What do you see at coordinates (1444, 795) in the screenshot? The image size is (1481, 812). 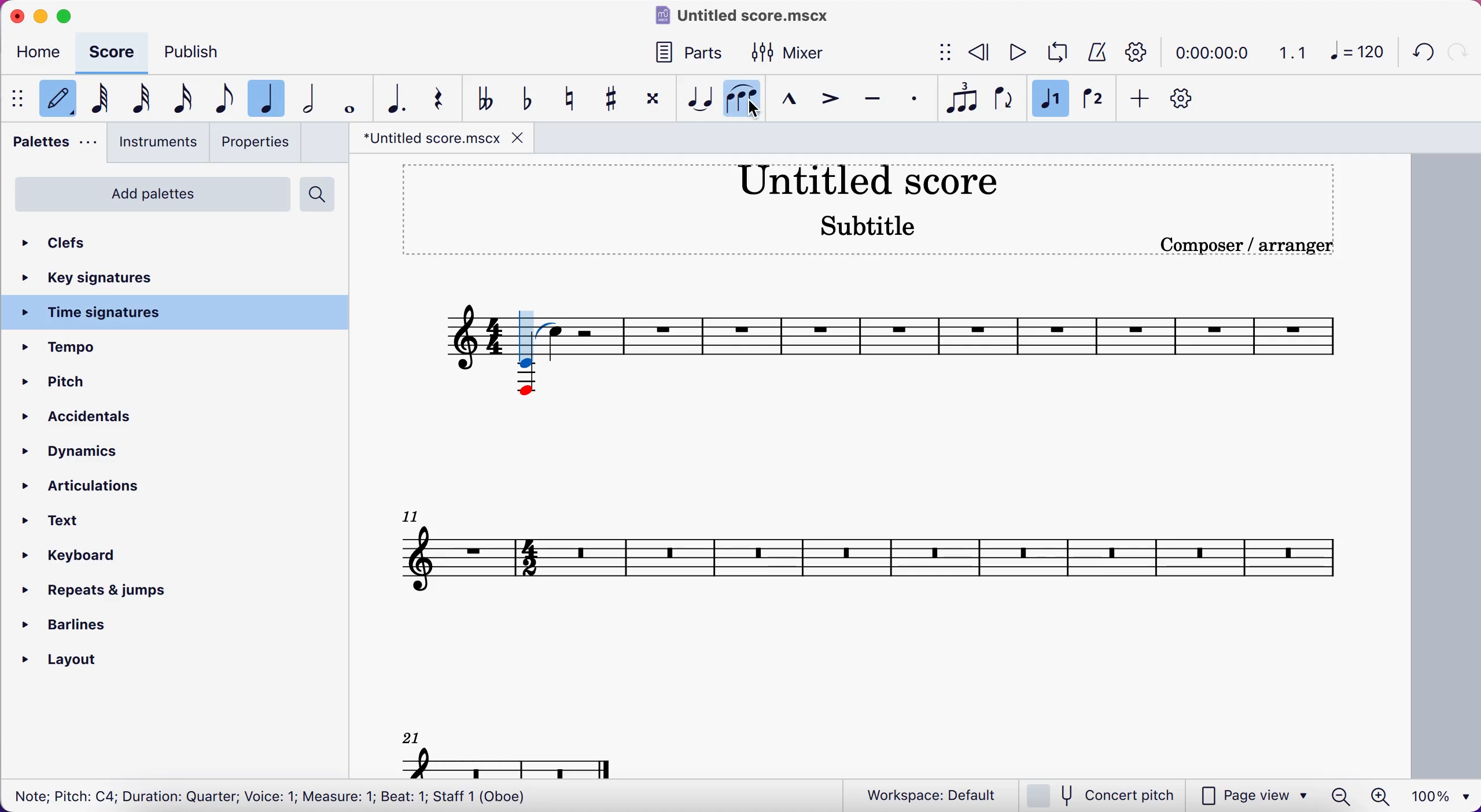 I see `100%` at bounding box center [1444, 795].